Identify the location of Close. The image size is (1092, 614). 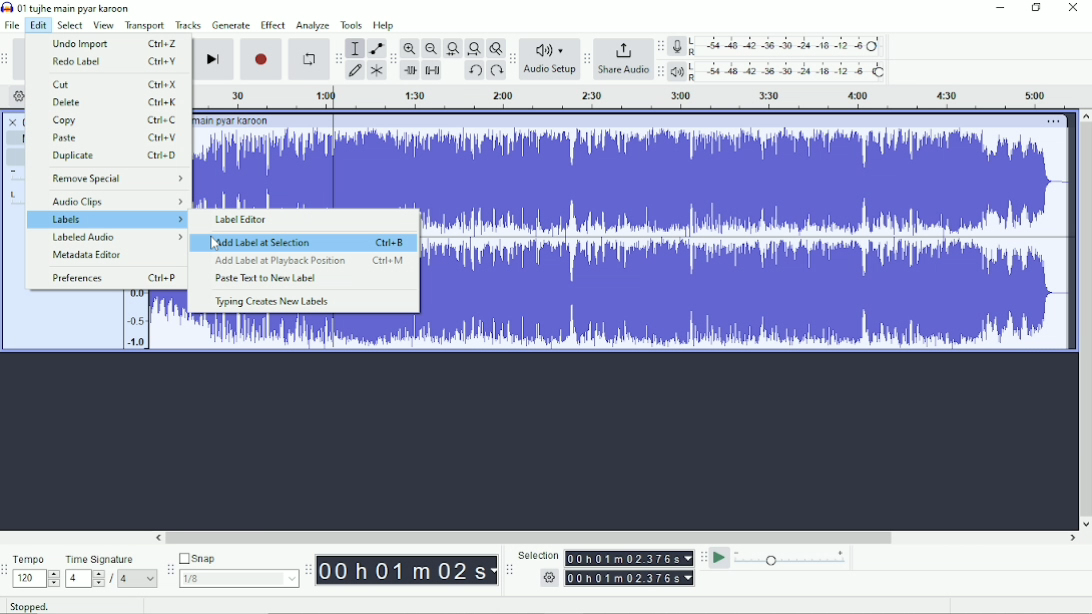
(1072, 10).